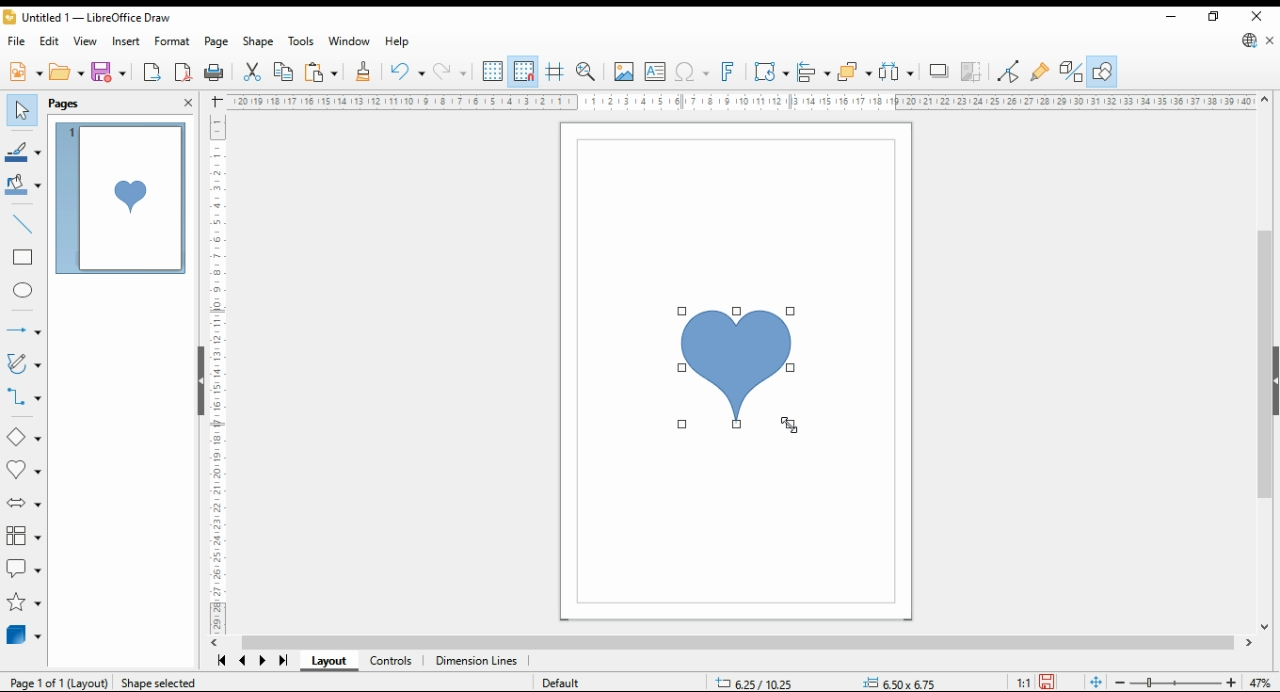 The image size is (1280, 692). I want to click on display grid, so click(493, 72).